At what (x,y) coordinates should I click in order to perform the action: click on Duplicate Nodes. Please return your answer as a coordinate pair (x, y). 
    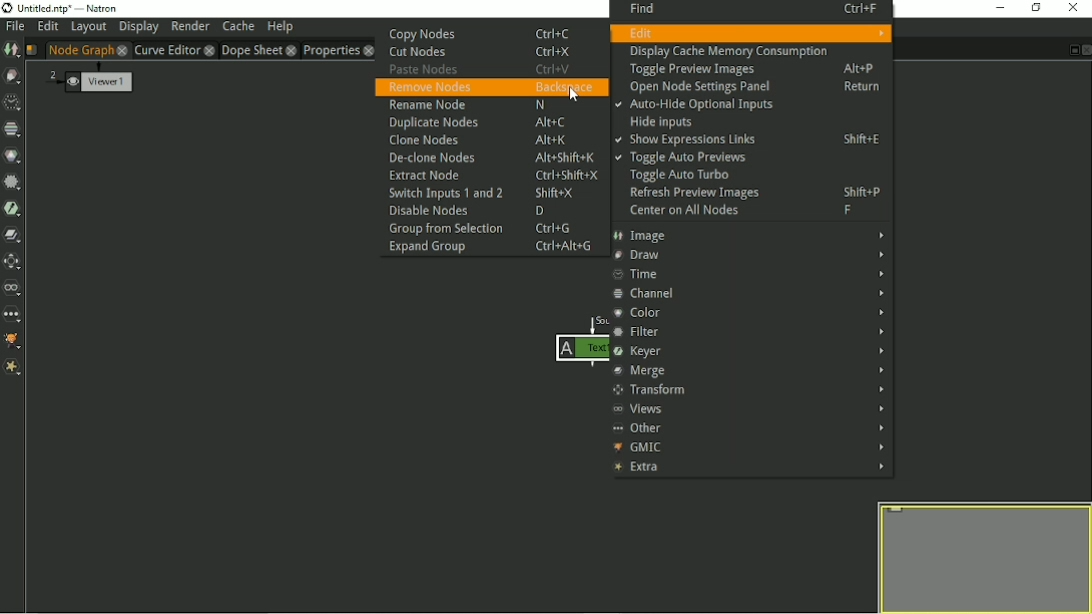
    Looking at the image, I should click on (485, 122).